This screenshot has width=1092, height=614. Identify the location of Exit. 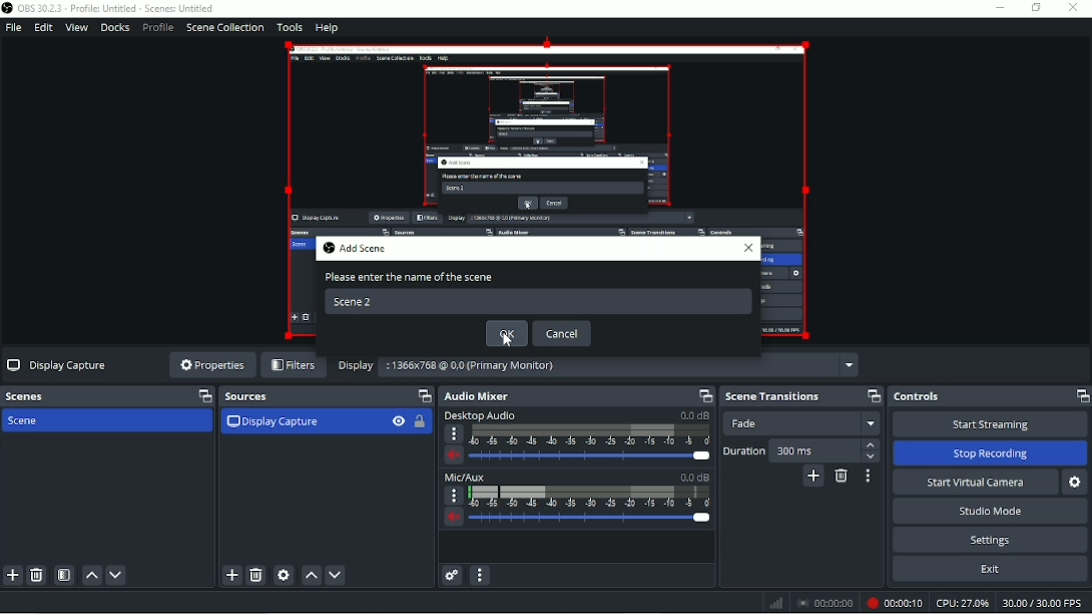
(990, 571).